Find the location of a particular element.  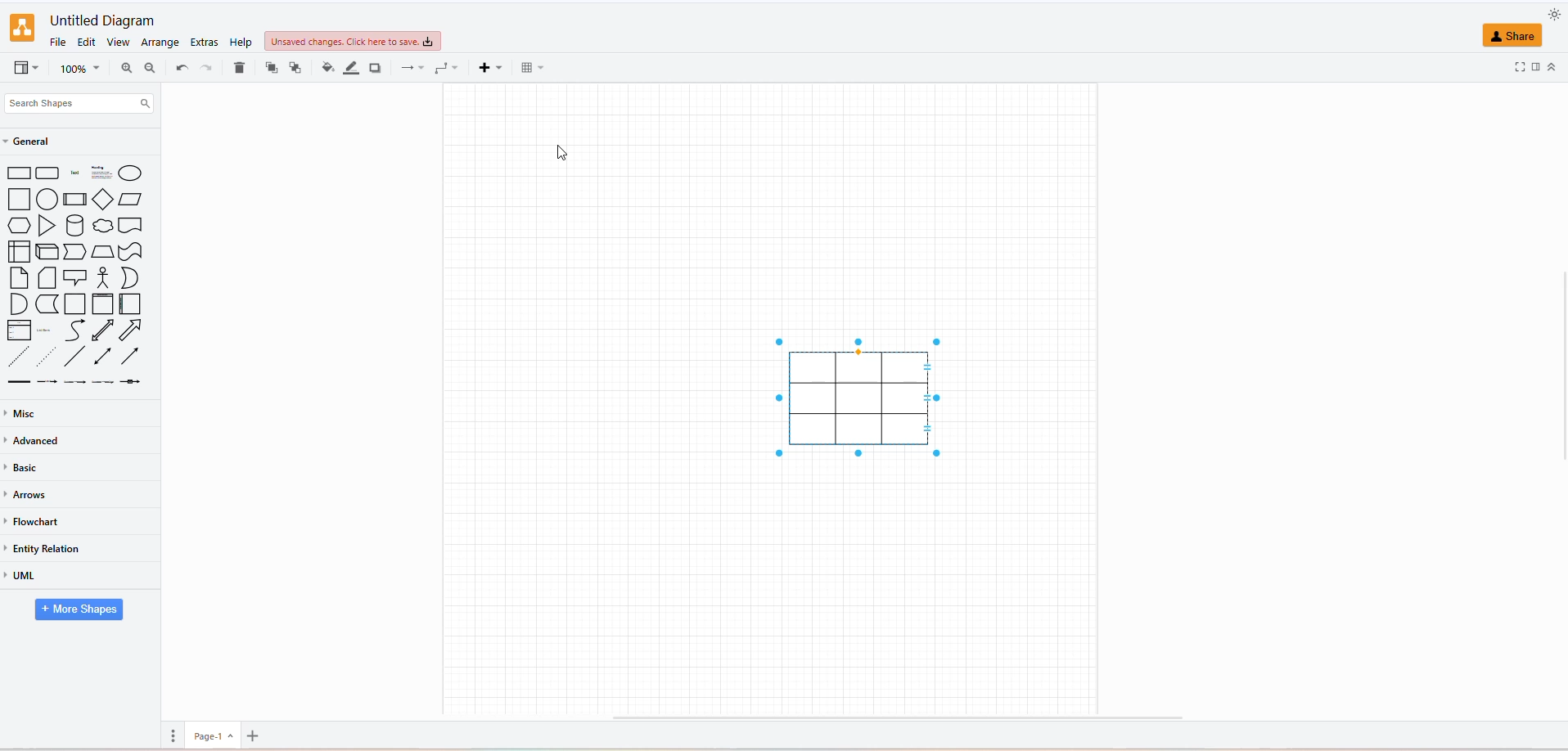

collapse is located at coordinates (1552, 65).